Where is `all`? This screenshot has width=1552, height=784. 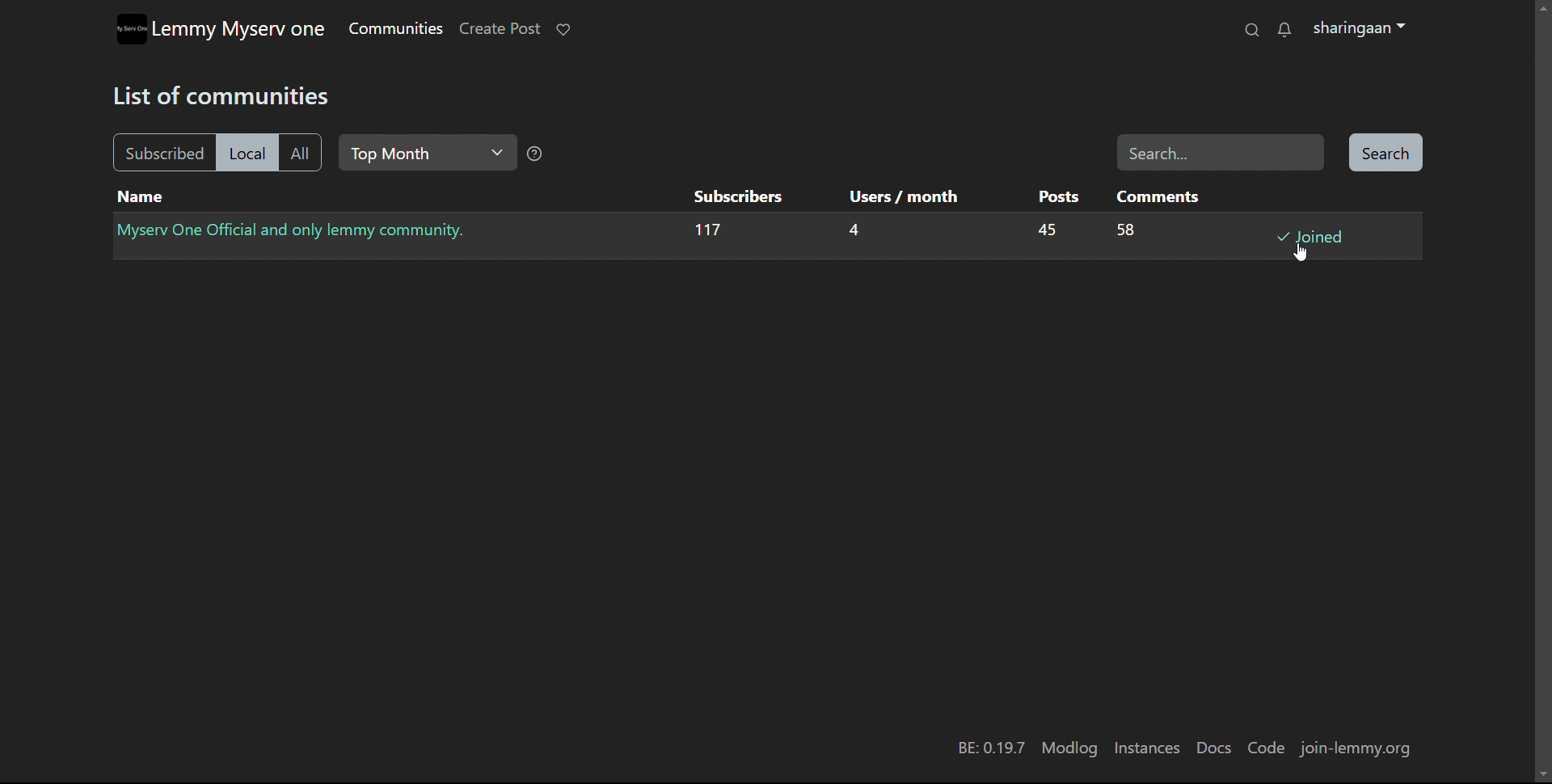 all is located at coordinates (300, 154).